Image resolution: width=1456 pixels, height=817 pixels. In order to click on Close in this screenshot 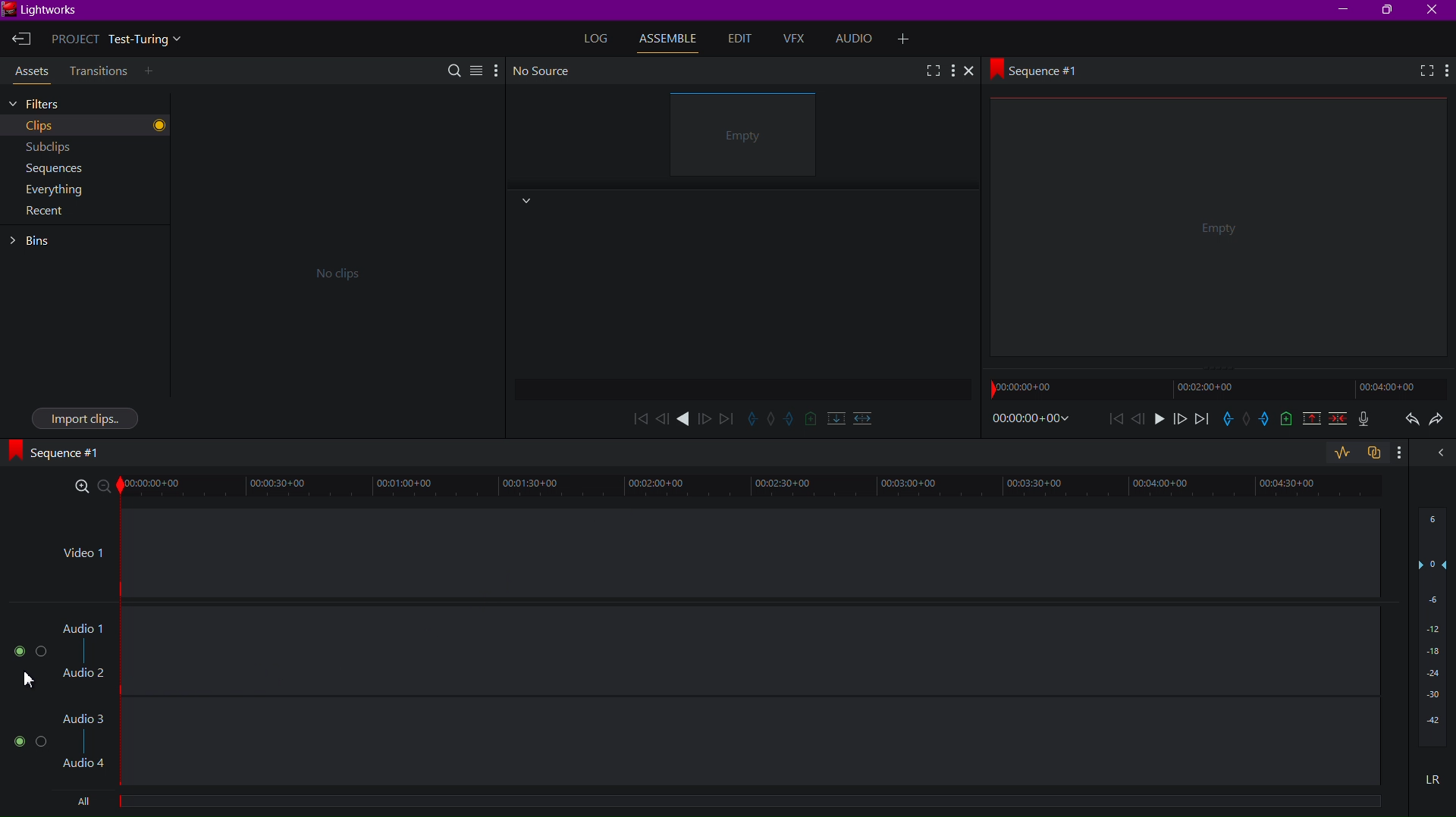, I will do `click(974, 72)`.